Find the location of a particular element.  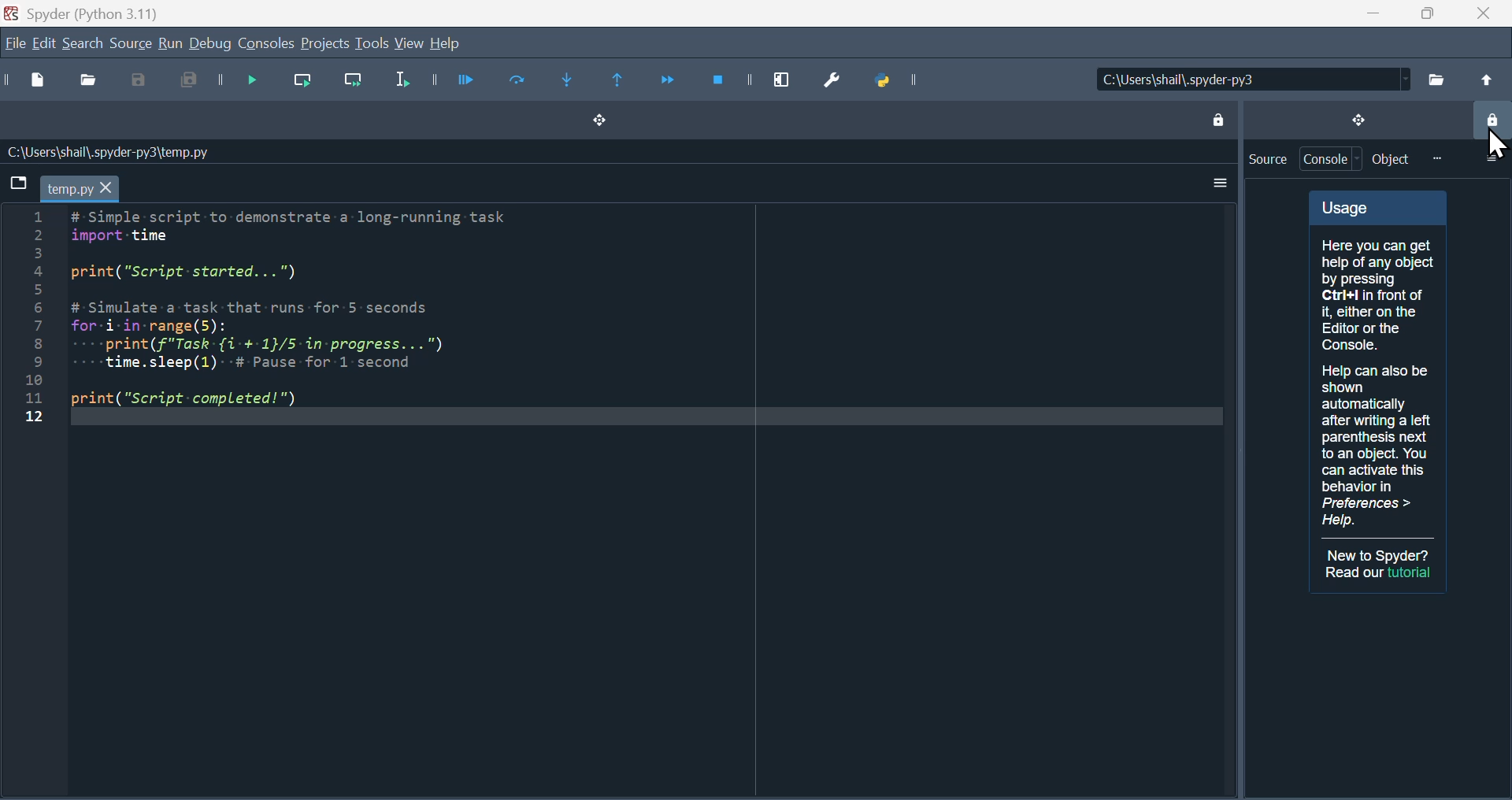

New file is located at coordinates (41, 83).